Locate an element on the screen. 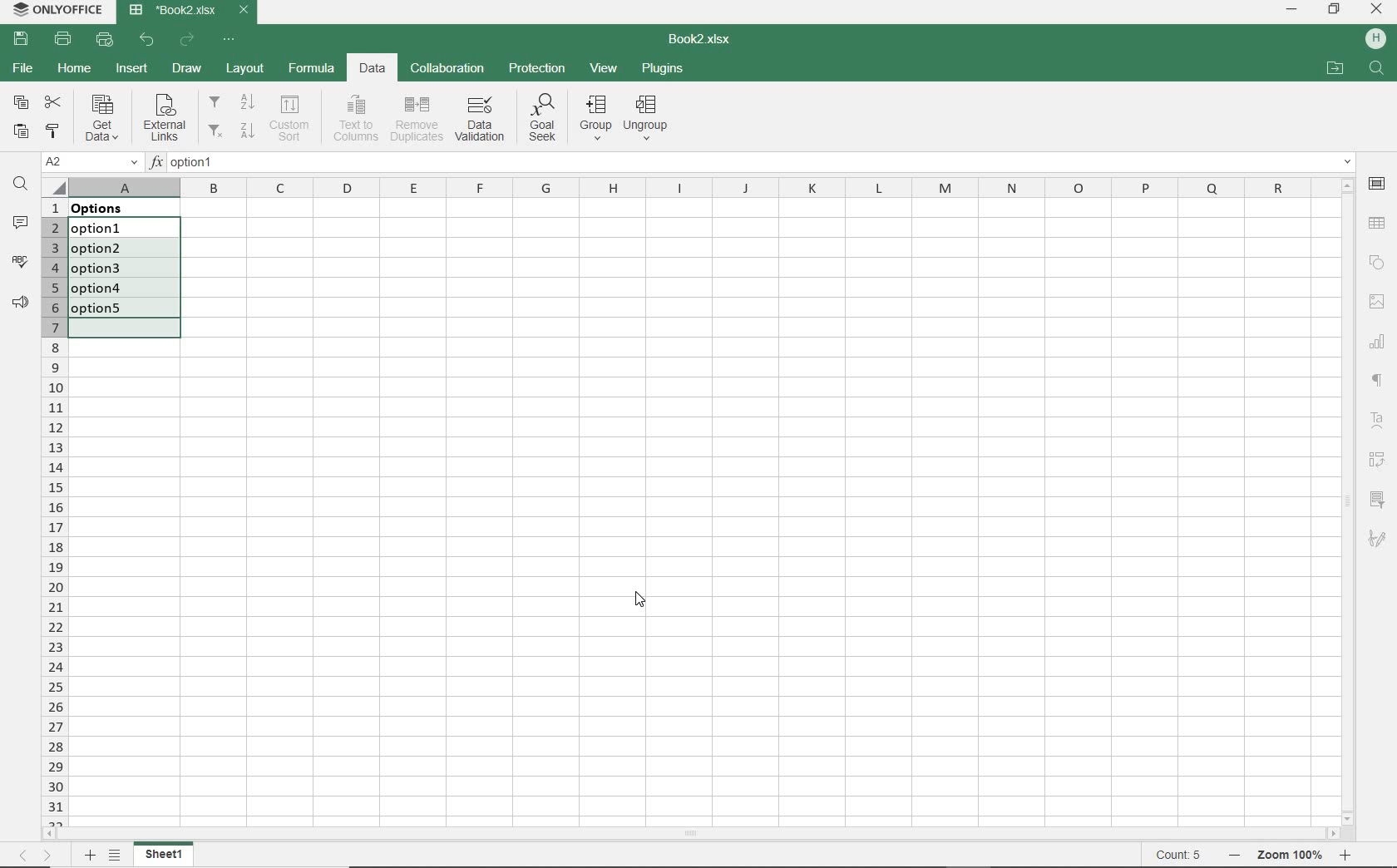 Image resolution: width=1397 pixels, height=868 pixels. Custom sort is located at coordinates (292, 118).